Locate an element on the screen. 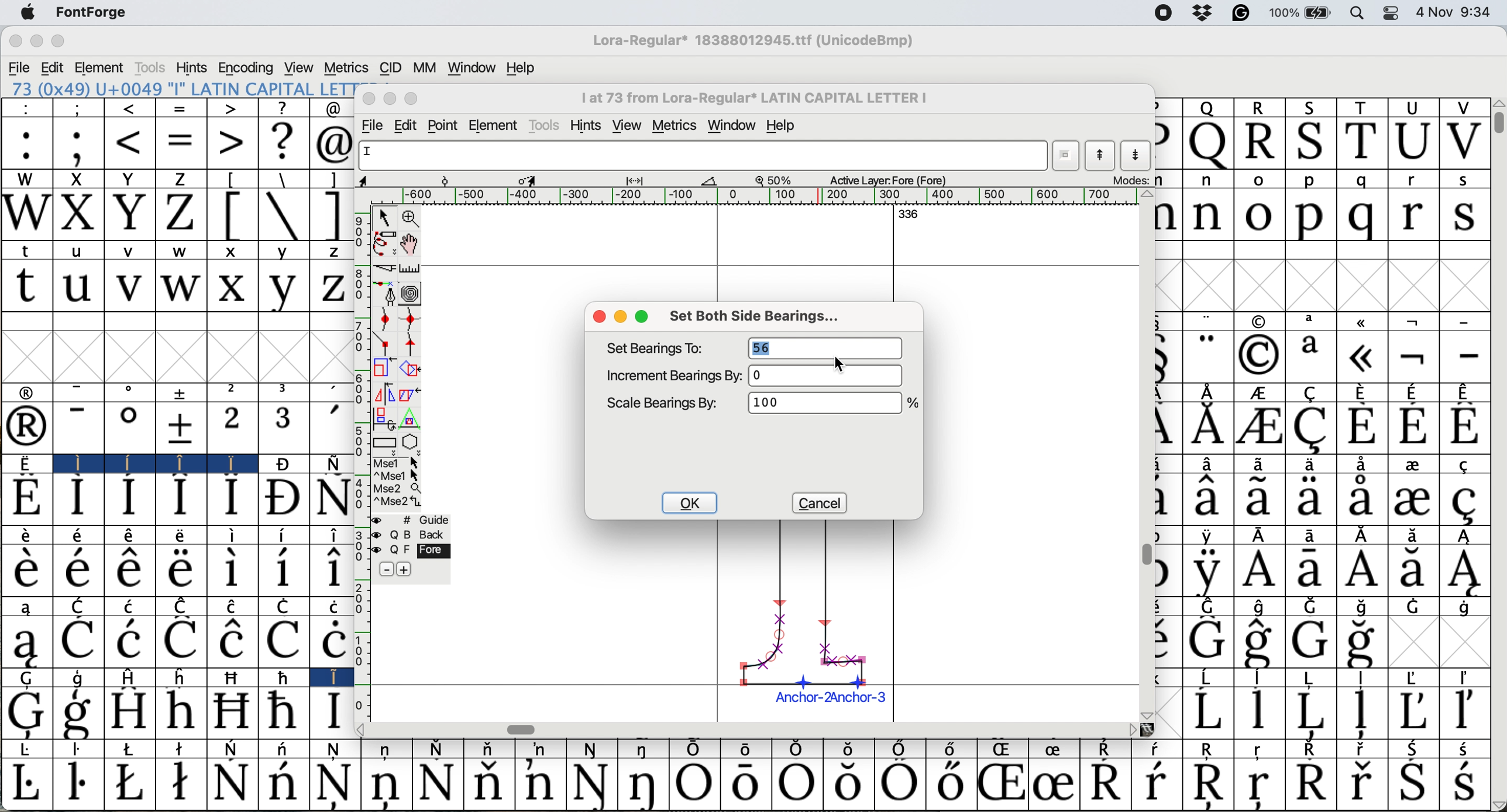  Symbol is located at coordinates (742, 785).